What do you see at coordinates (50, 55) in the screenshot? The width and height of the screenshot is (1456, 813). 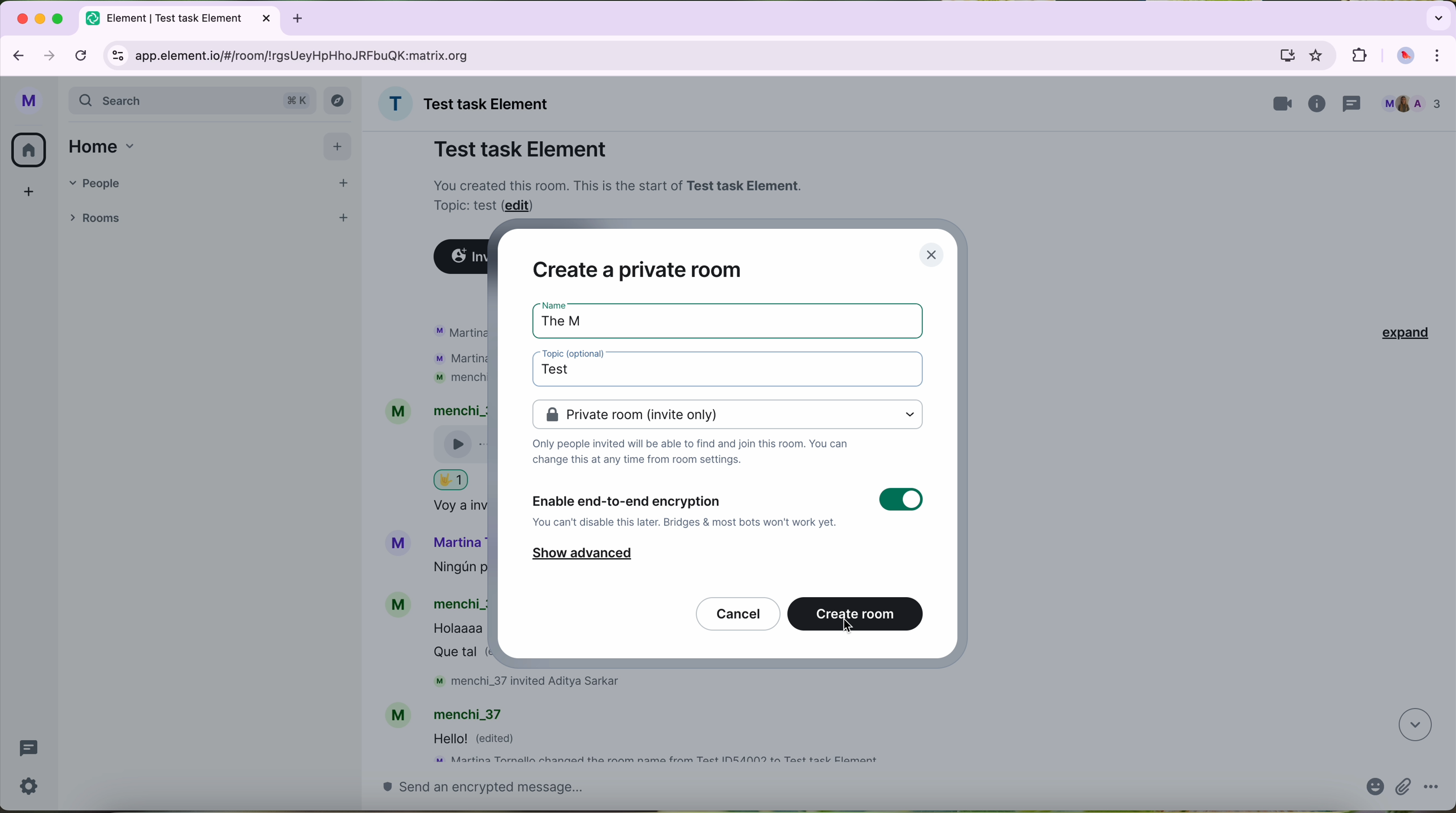 I see `navigate foward` at bounding box center [50, 55].